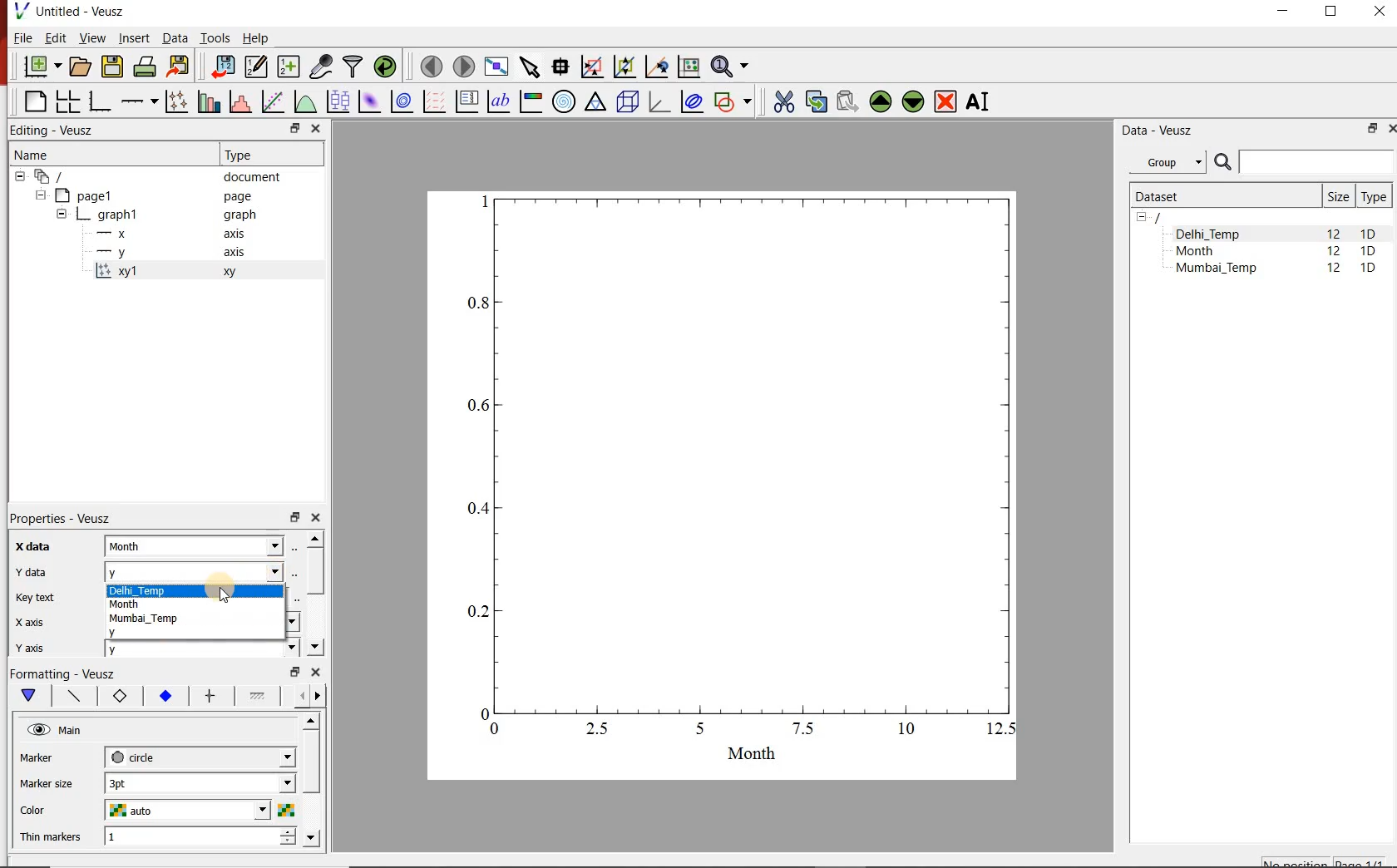  What do you see at coordinates (848, 101) in the screenshot?
I see `paste widget from the clipboard` at bounding box center [848, 101].